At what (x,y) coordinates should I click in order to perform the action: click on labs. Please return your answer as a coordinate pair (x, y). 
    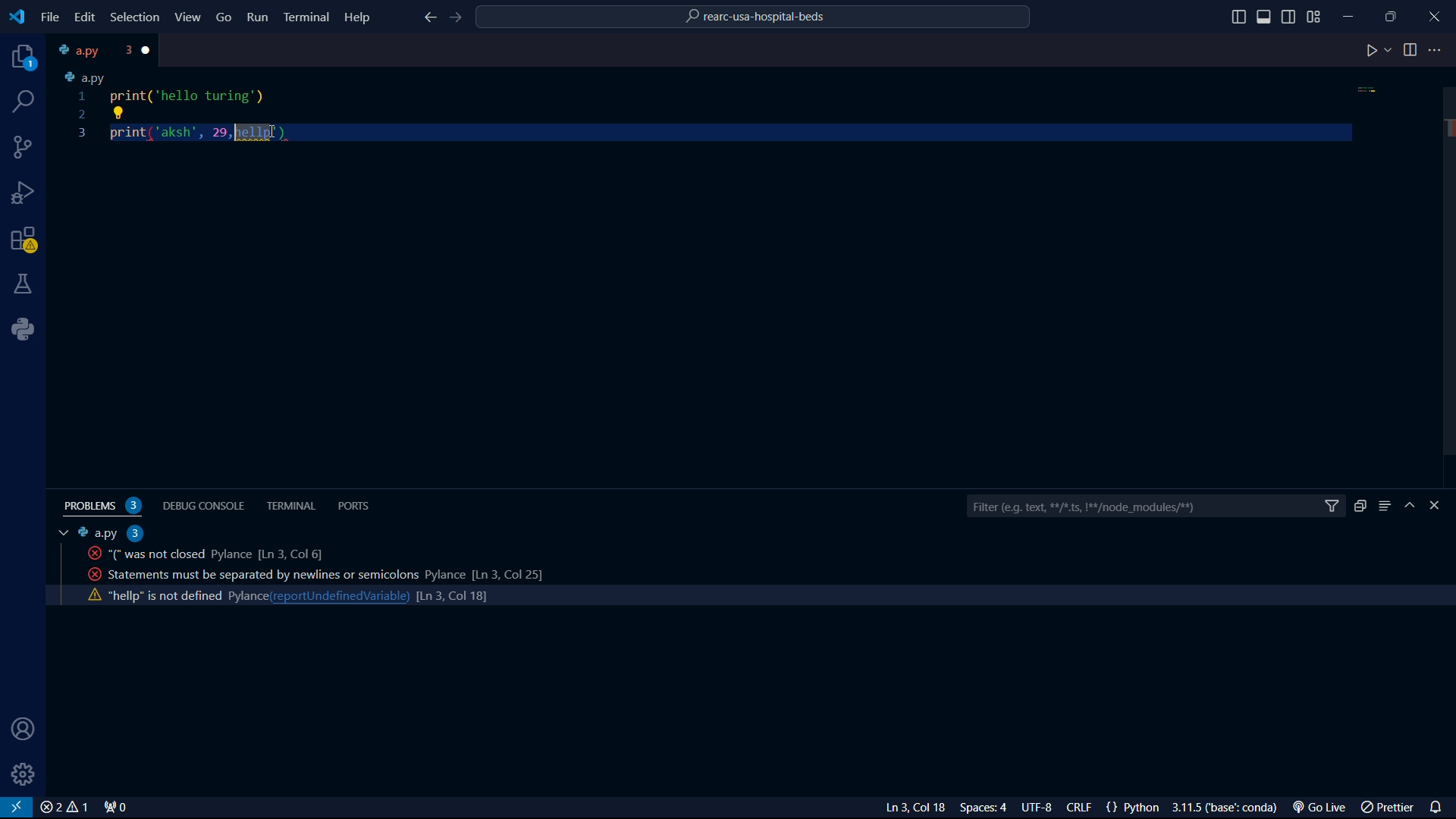
    Looking at the image, I should click on (24, 283).